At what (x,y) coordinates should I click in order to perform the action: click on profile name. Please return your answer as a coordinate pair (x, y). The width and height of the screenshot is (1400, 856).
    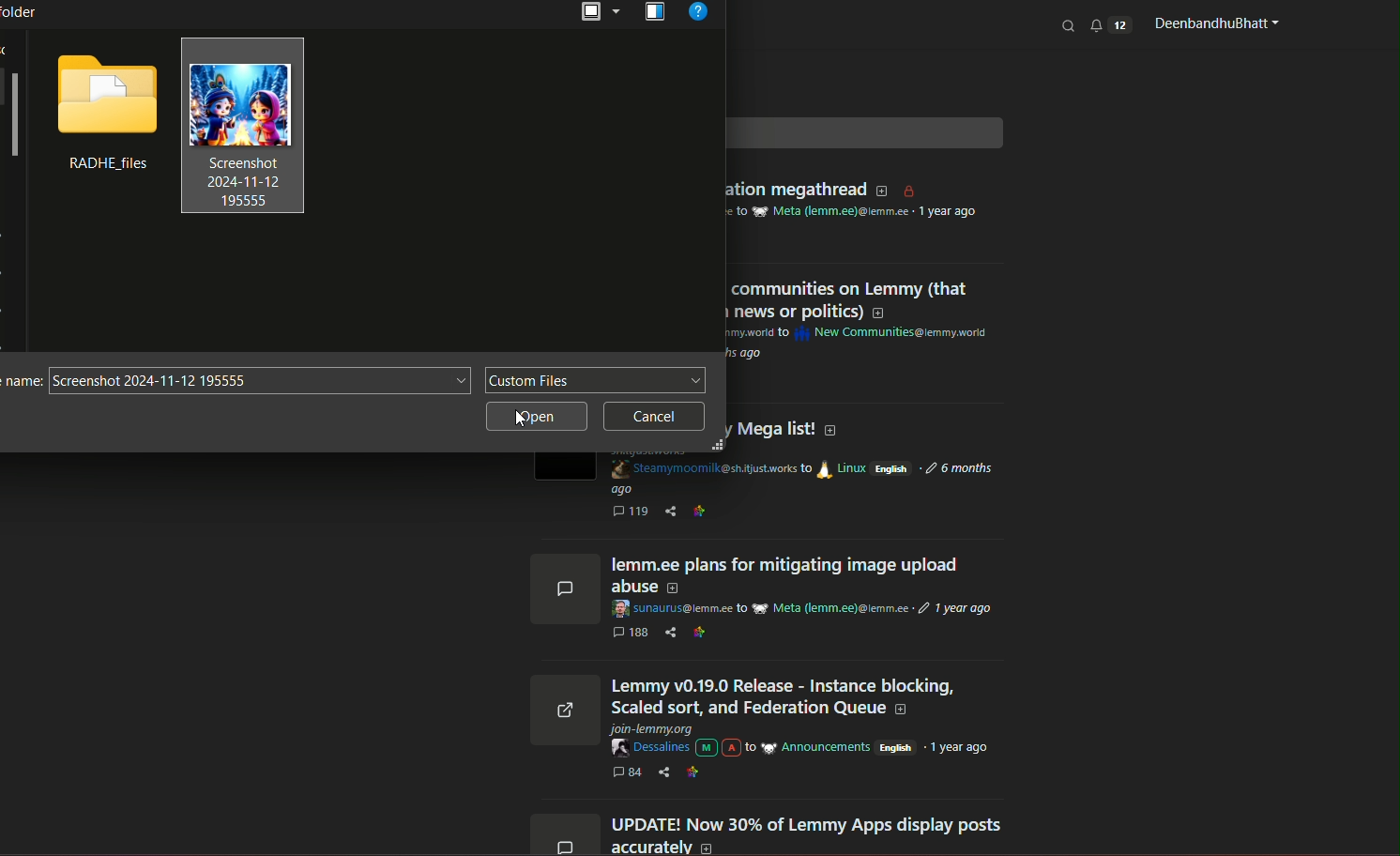
    Looking at the image, I should click on (1213, 23).